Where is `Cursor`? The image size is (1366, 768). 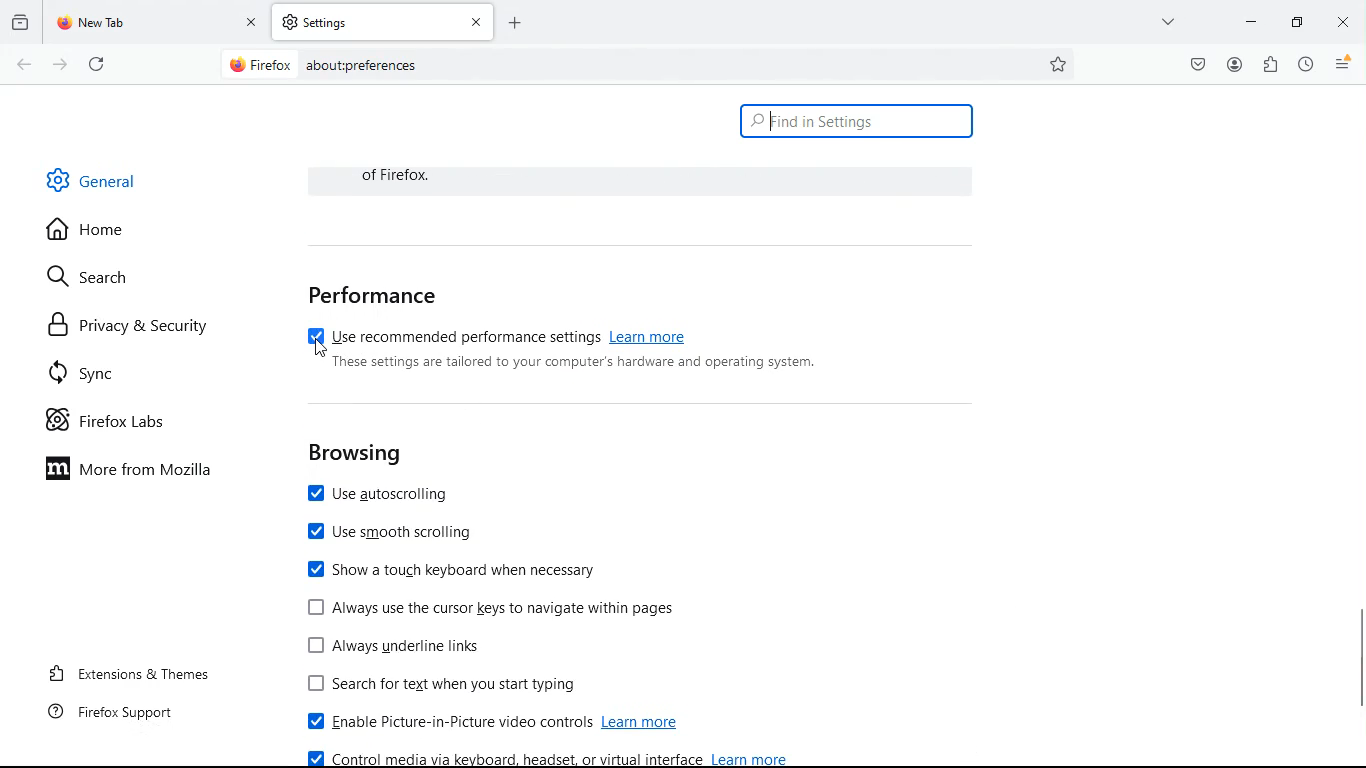
Cursor is located at coordinates (323, 346).